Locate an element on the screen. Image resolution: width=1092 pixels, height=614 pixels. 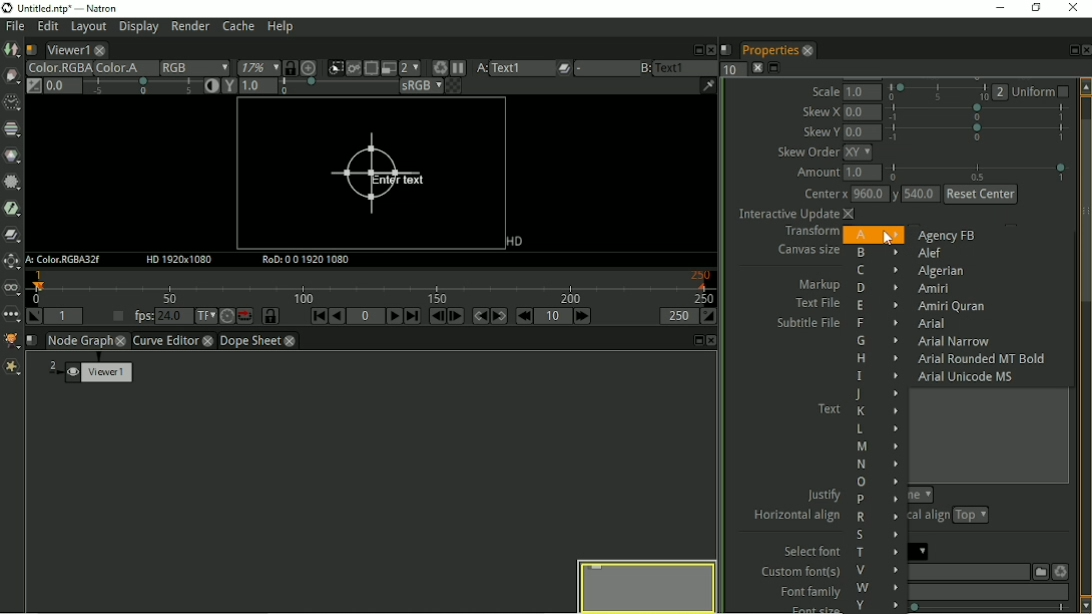
Font family is located at coordinates (806, 592).